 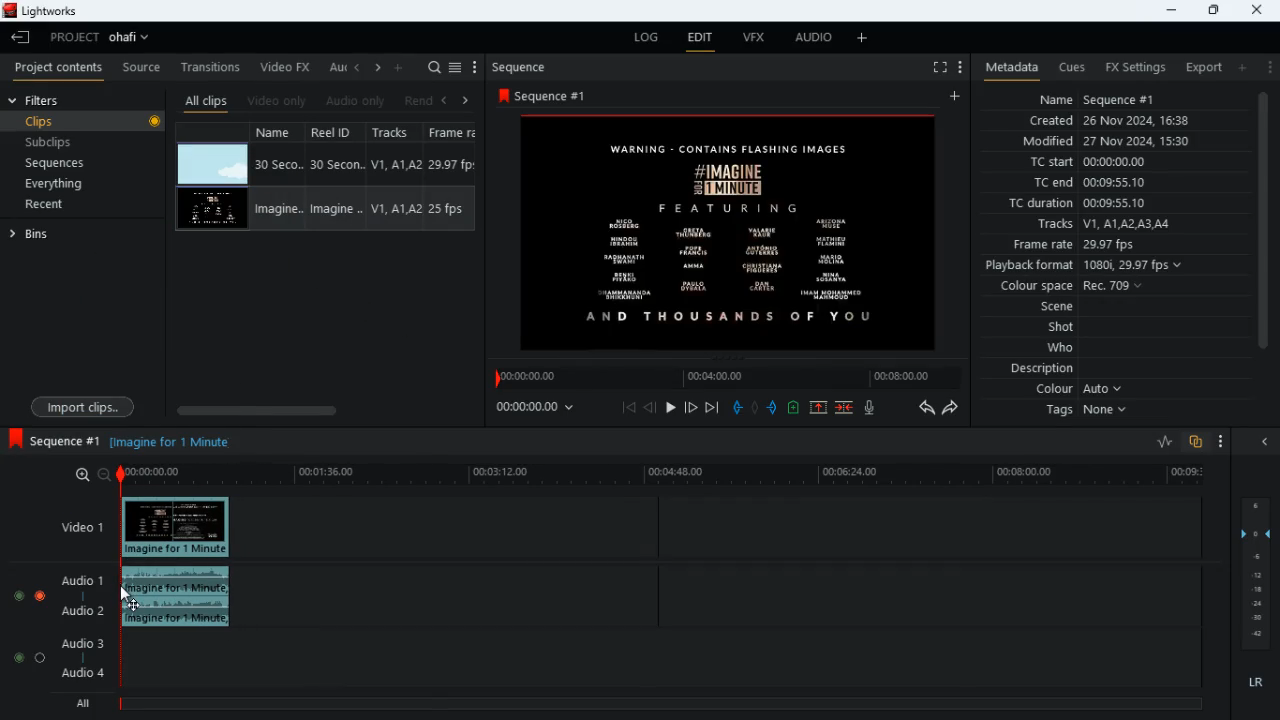 What do you see at coordinates (78, 581) in the screenshot?
I see `audio 1` at bounding box center [78, 581].